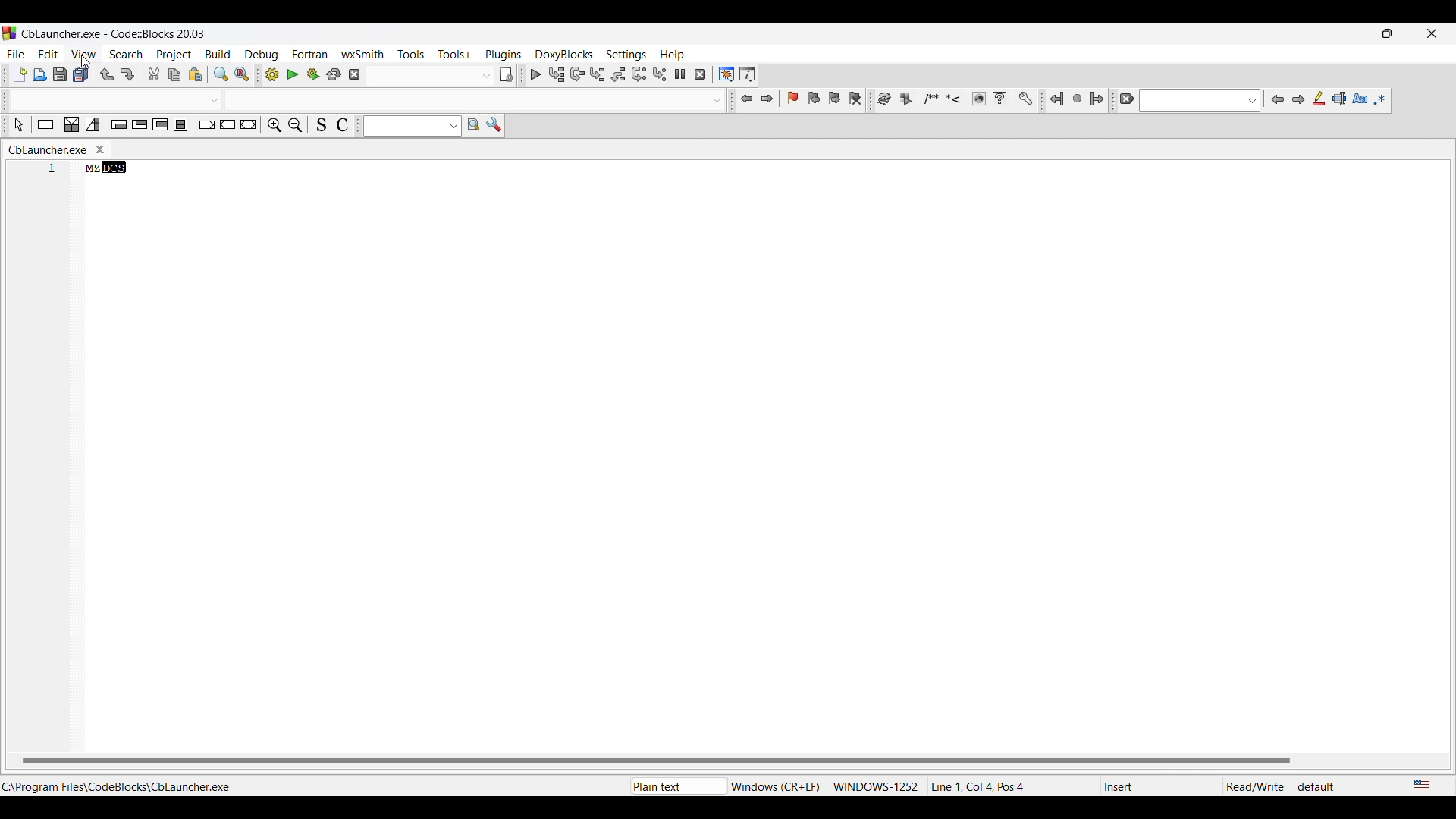 This screenshot has height=819, width=1456. I want to click on Abort, so click(354, 74).